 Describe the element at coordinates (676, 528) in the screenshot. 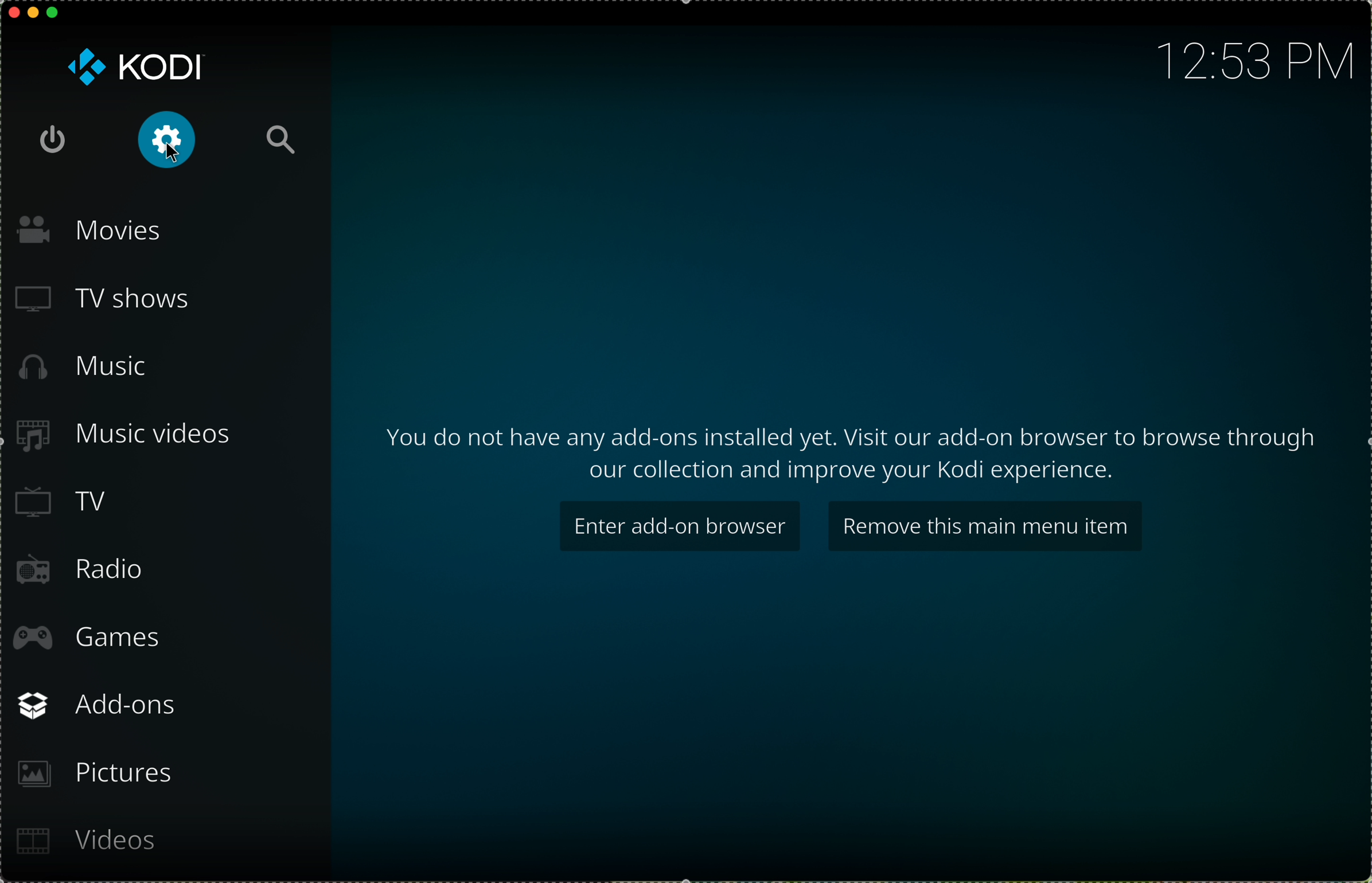

I see `enter add-on browser button` at that location.